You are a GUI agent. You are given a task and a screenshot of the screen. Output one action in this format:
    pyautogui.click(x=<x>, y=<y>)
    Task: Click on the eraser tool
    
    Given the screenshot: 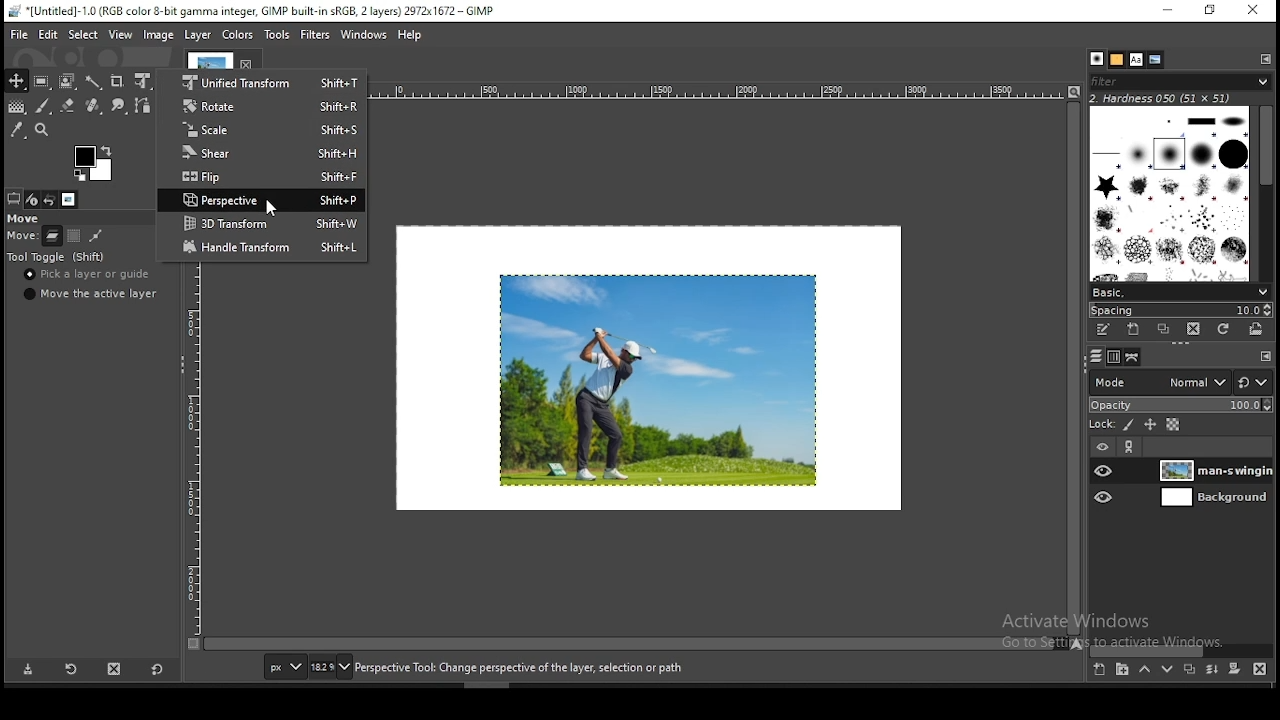 What is the action you would take?
    pyautogui.click(x=69, y=103)
    